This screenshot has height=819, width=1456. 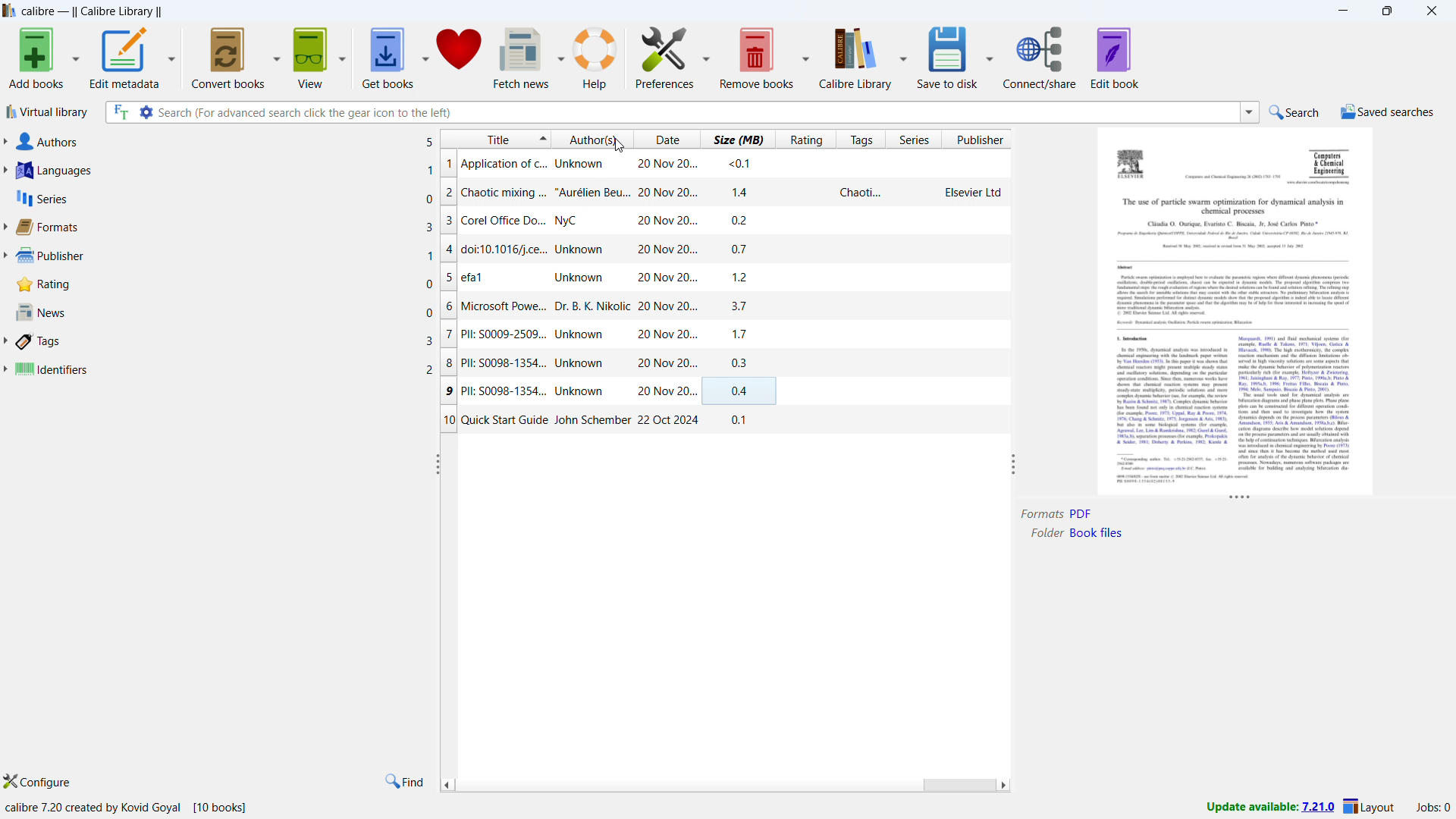 I want to click on search history, so click(x=1250, y=112).